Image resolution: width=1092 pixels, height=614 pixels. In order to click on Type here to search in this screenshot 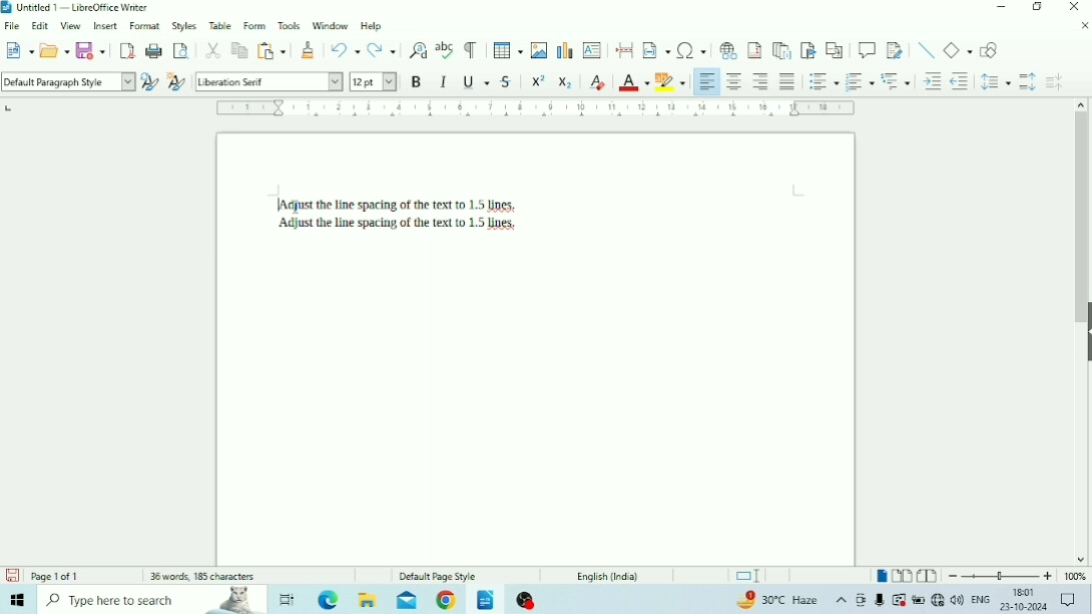, I will do `click(152, 600)`.